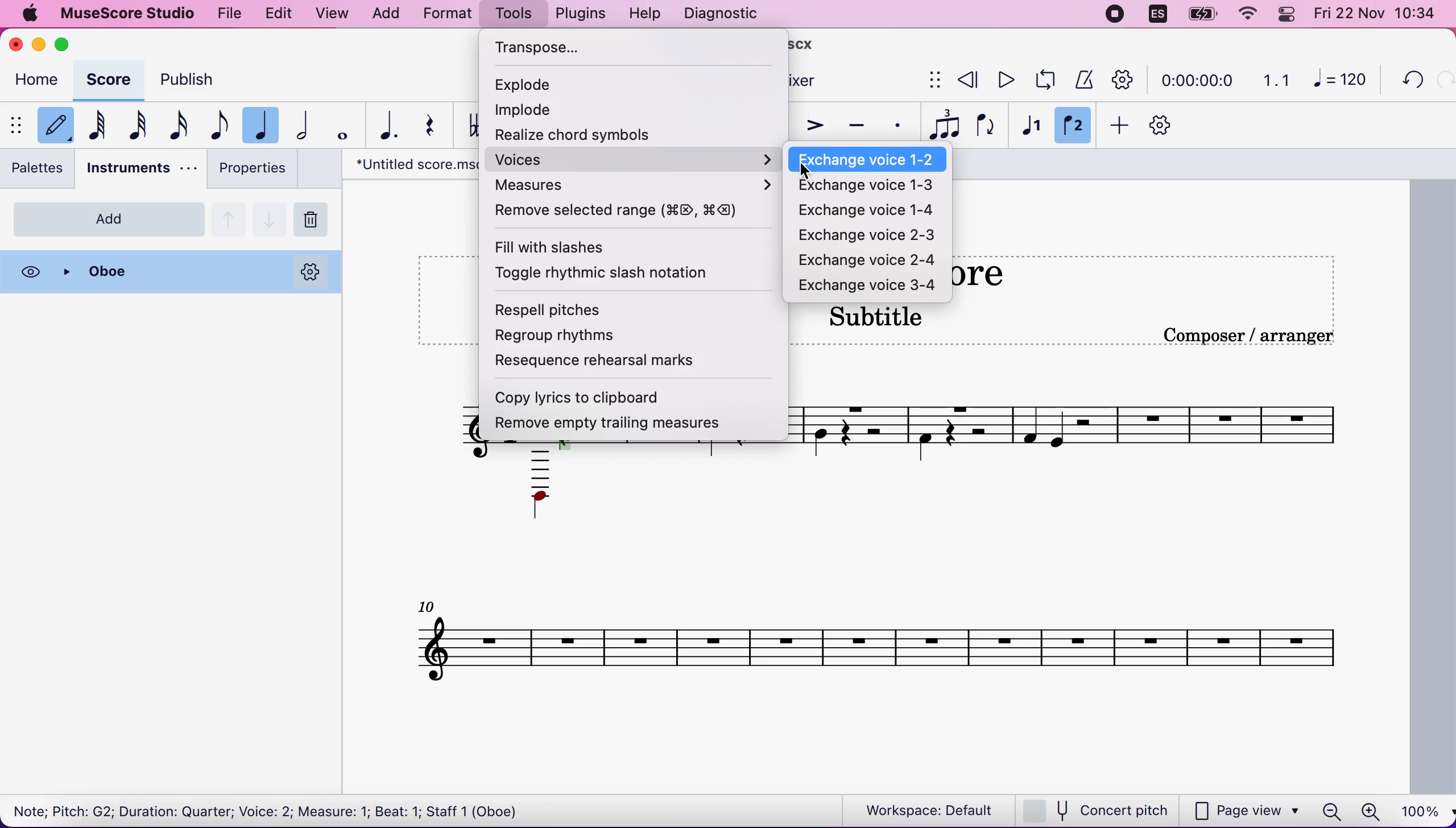  I want to click on add, so click(1121, 123).